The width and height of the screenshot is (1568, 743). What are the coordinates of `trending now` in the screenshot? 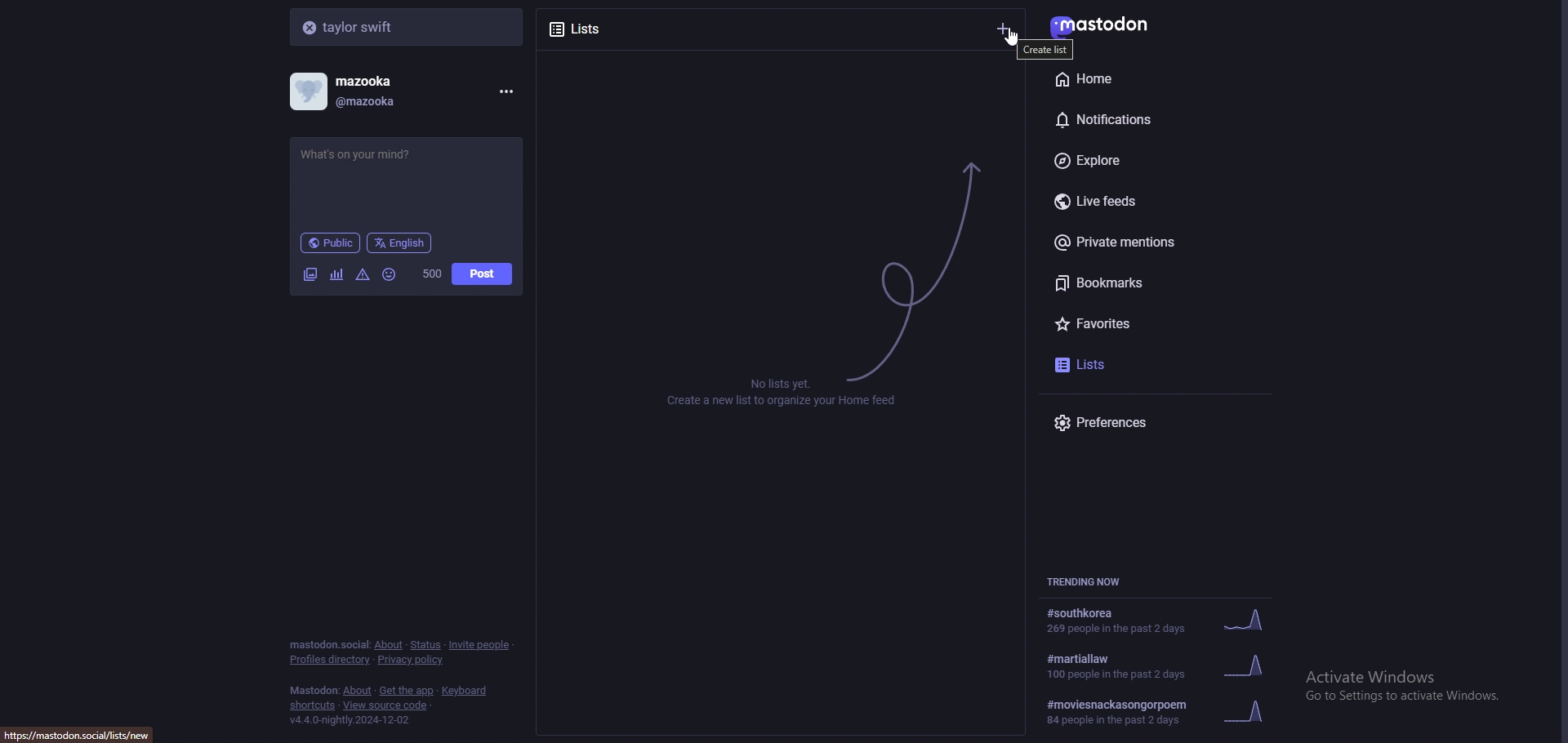 It's located at (1093, 581).